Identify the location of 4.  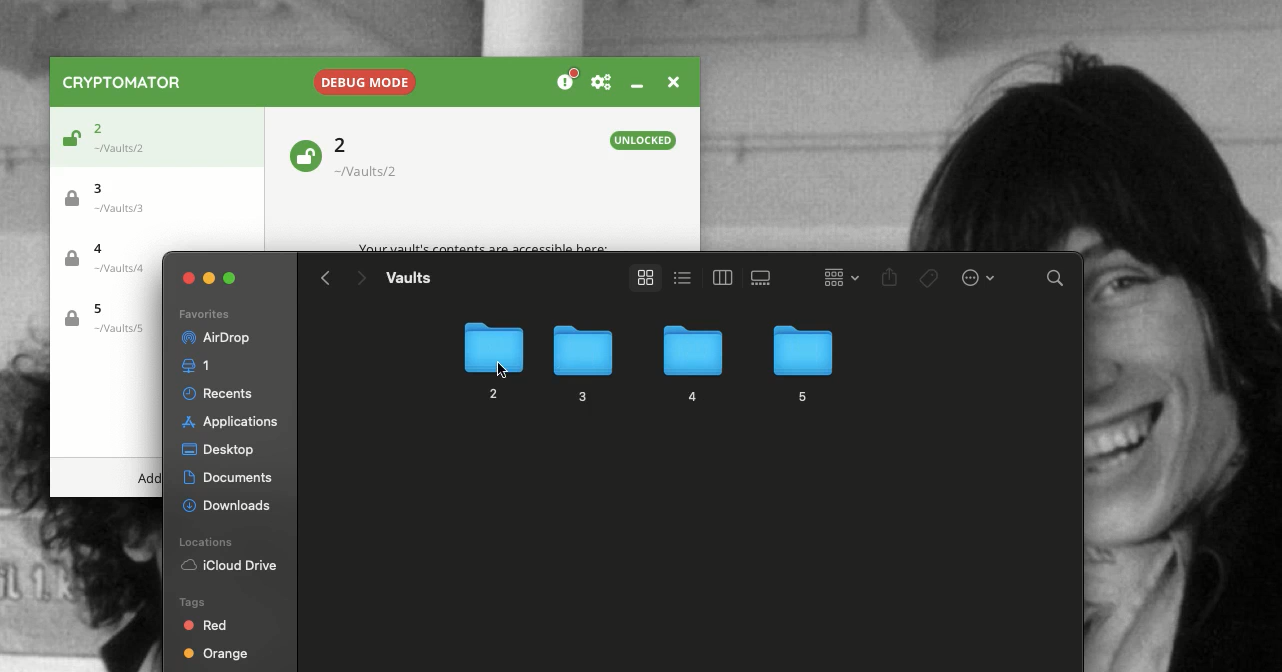
(690, 365).